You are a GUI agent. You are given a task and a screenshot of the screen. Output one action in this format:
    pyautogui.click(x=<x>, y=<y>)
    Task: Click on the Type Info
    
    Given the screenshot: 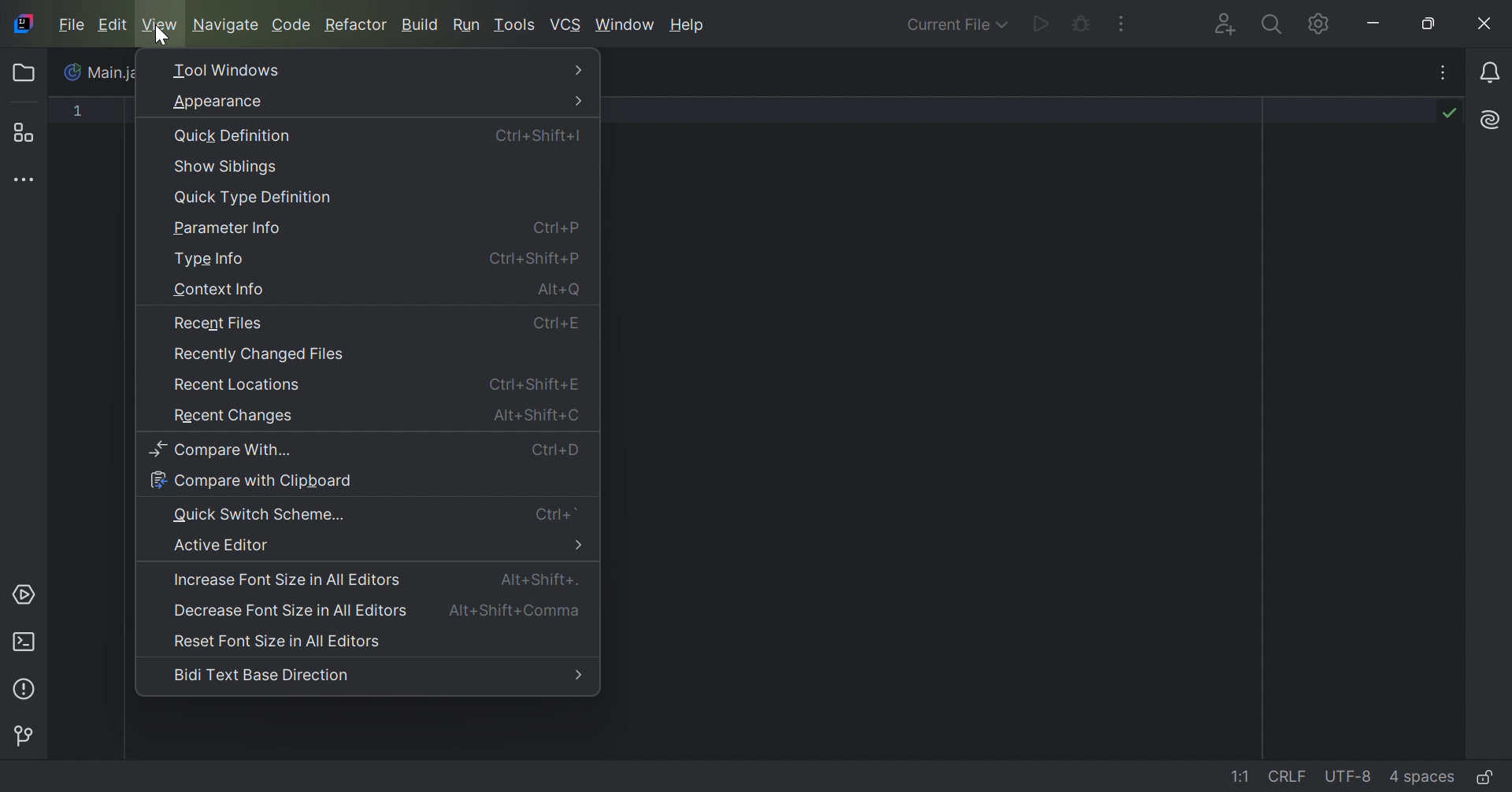 What is the action you would take?
    pyautogui.click(x=209, y=260)
    